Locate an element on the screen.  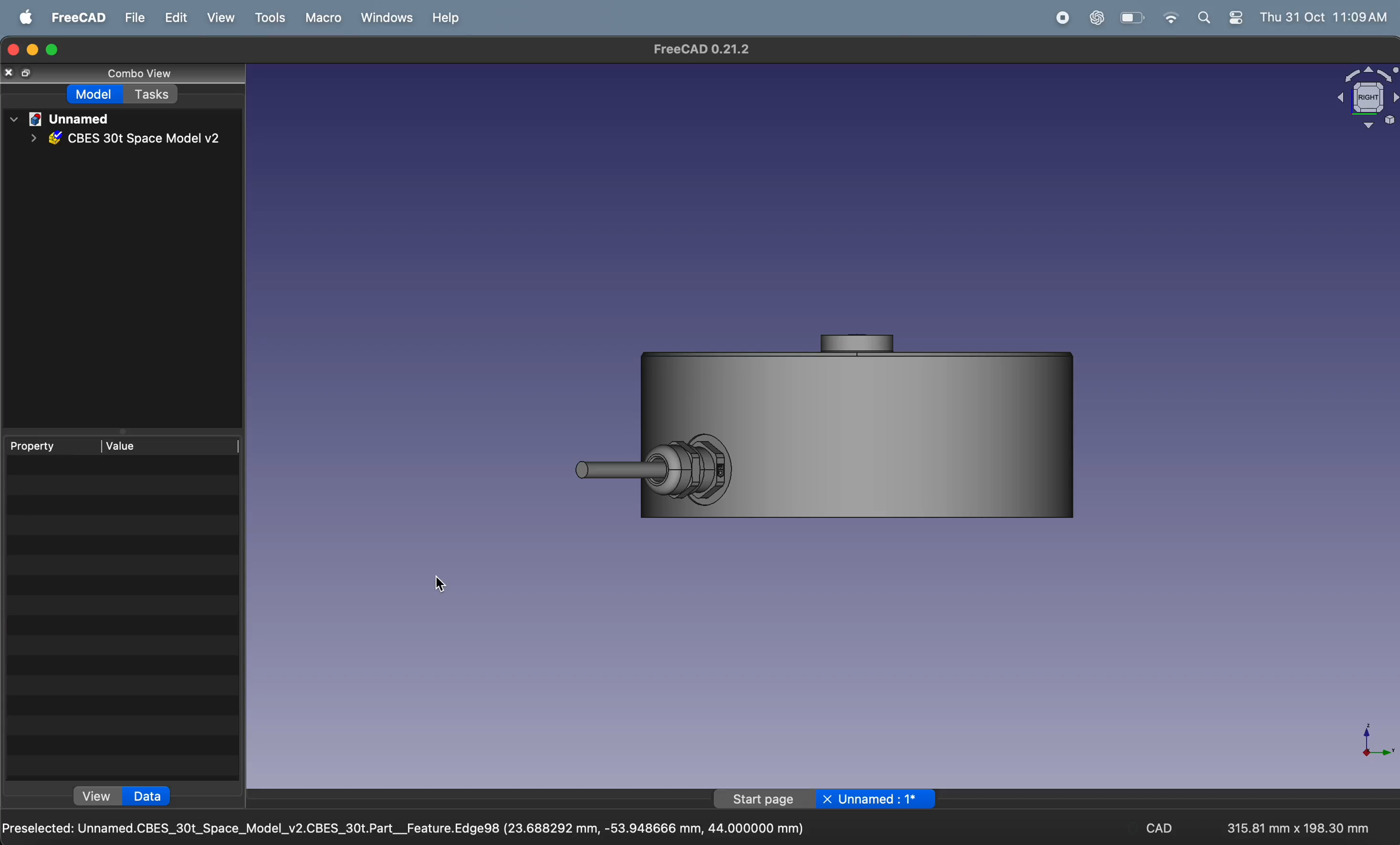
axis is located at coordinates (1376, 742).